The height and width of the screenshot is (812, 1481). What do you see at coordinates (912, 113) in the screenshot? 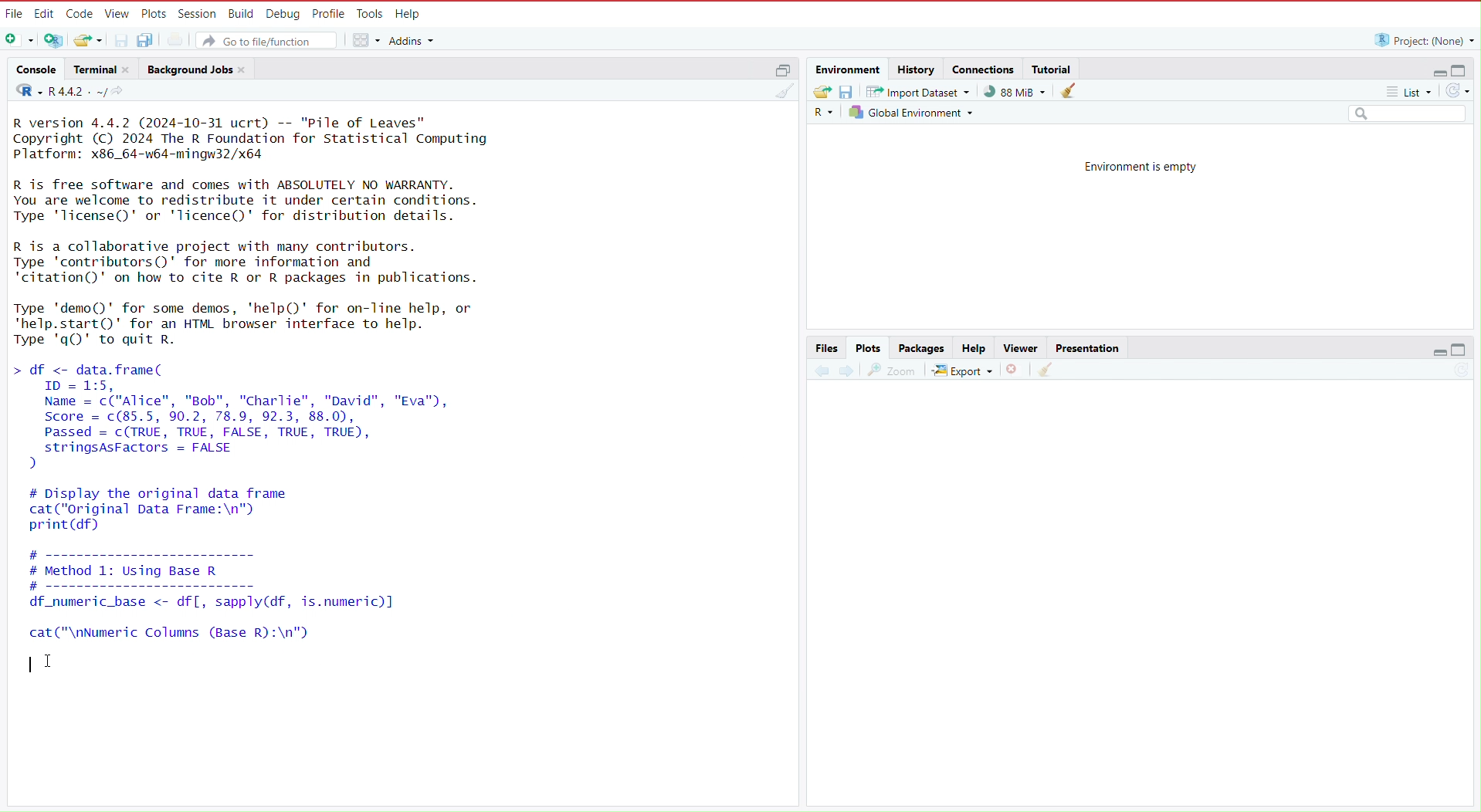
I see `Global environment` at bounding box center [912, 113].